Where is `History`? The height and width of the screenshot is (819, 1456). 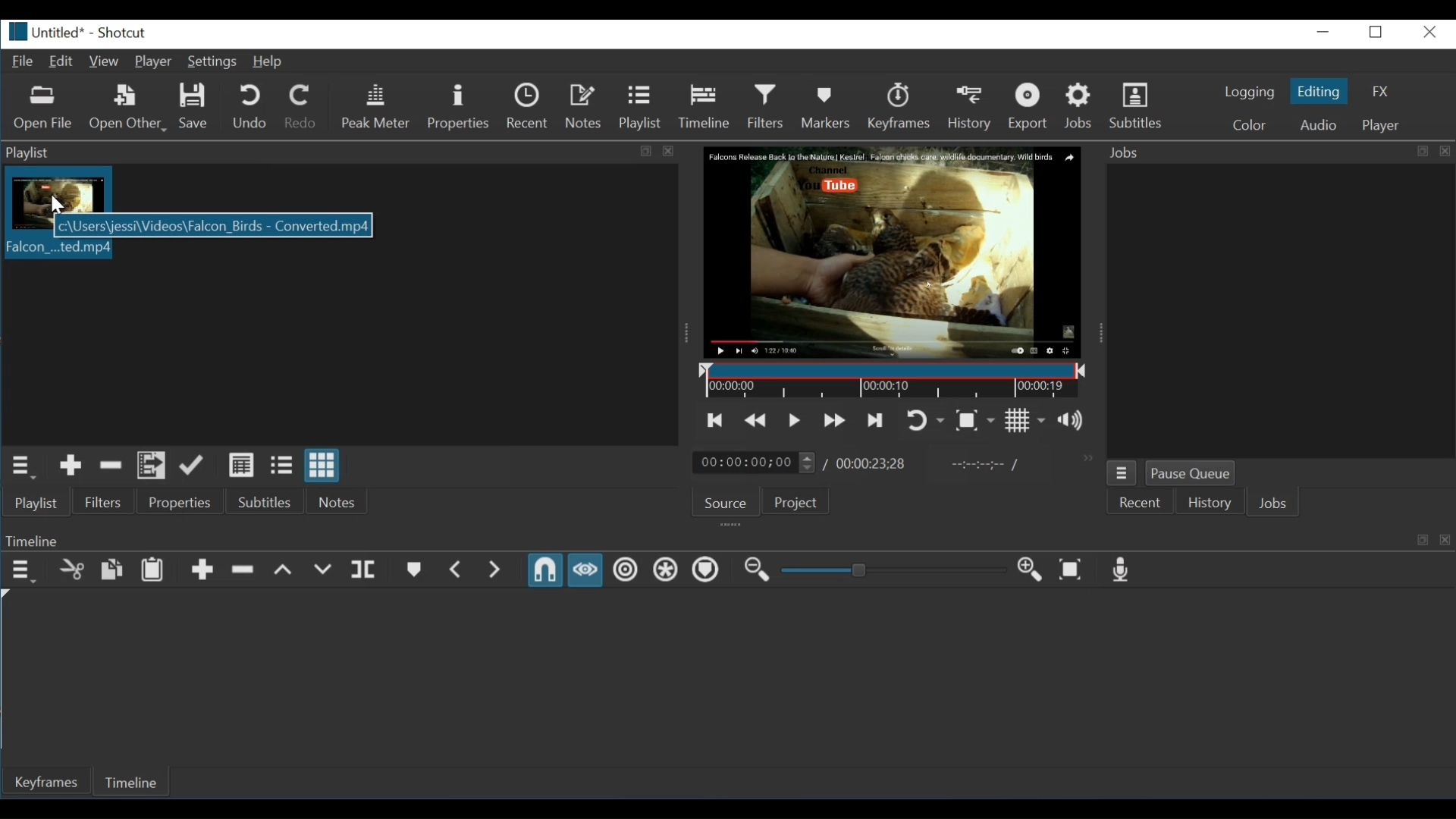 History is located at coordinates (973, 106).